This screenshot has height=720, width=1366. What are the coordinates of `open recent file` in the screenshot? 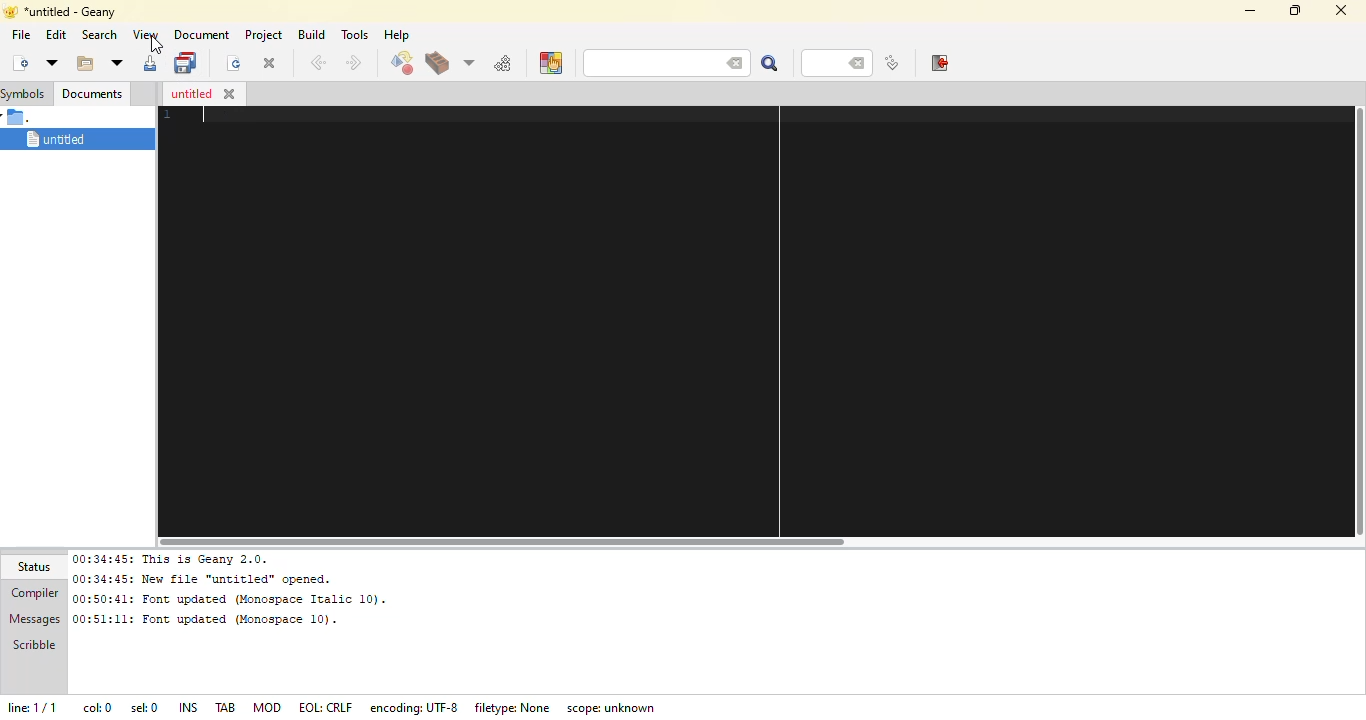 It's located at (115, 63).